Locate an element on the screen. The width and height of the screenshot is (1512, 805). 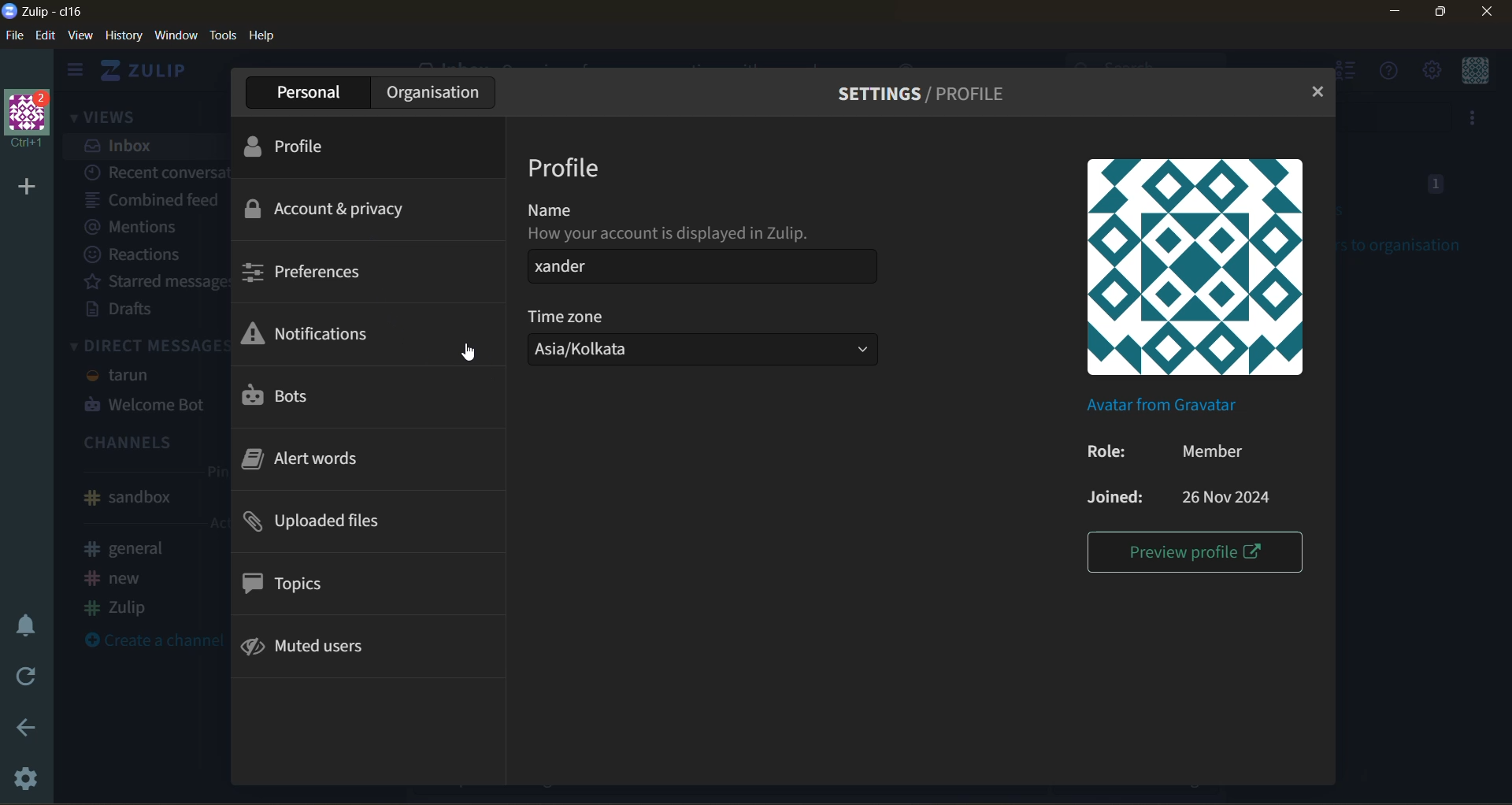
profile is located at coordinates (317, 150).